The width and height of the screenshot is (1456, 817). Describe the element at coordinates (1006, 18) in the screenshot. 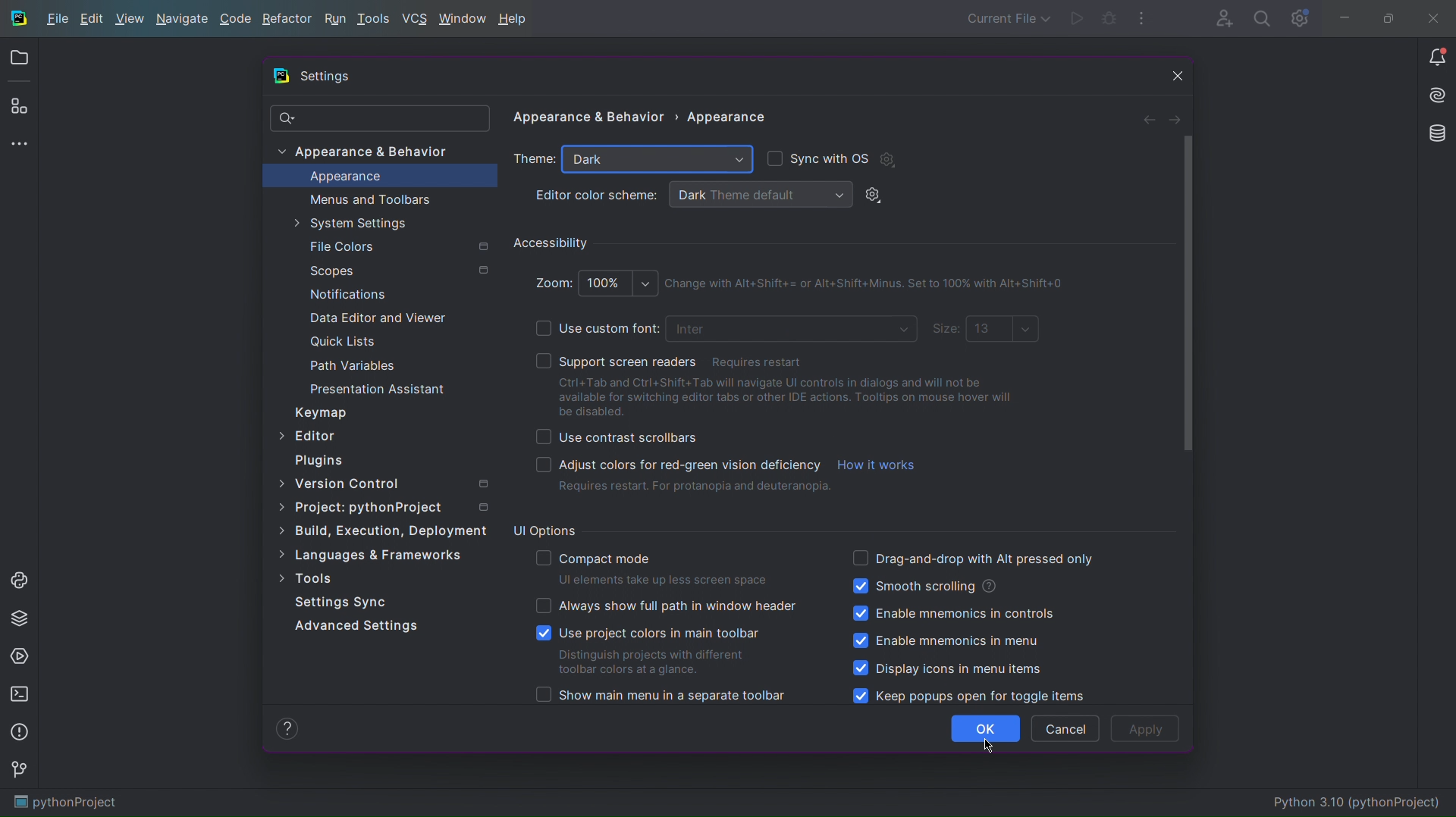

I see `Current File` at that location.